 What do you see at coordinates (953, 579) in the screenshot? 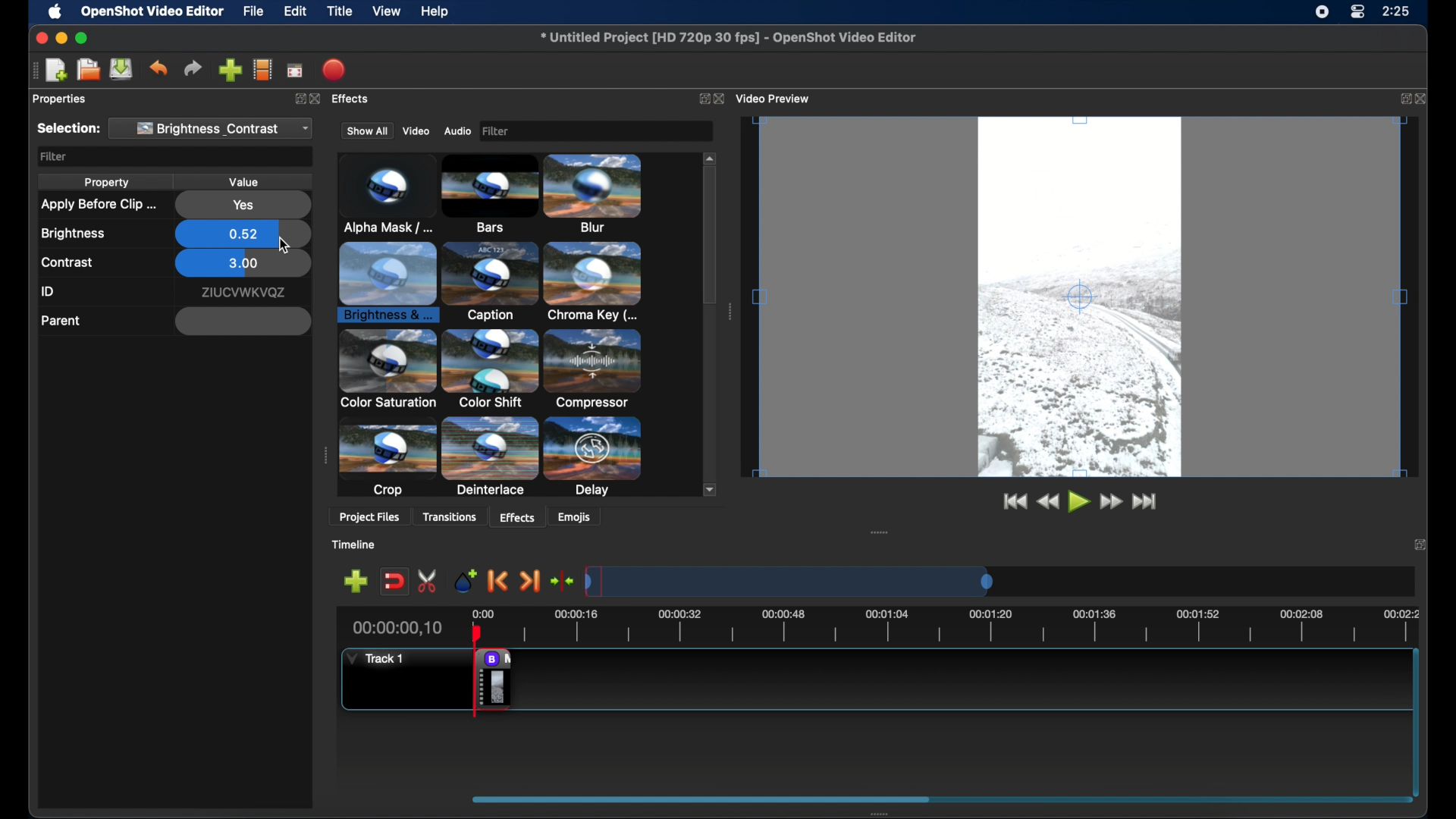
I see `timeline scale` at bounding box center [953, 579].